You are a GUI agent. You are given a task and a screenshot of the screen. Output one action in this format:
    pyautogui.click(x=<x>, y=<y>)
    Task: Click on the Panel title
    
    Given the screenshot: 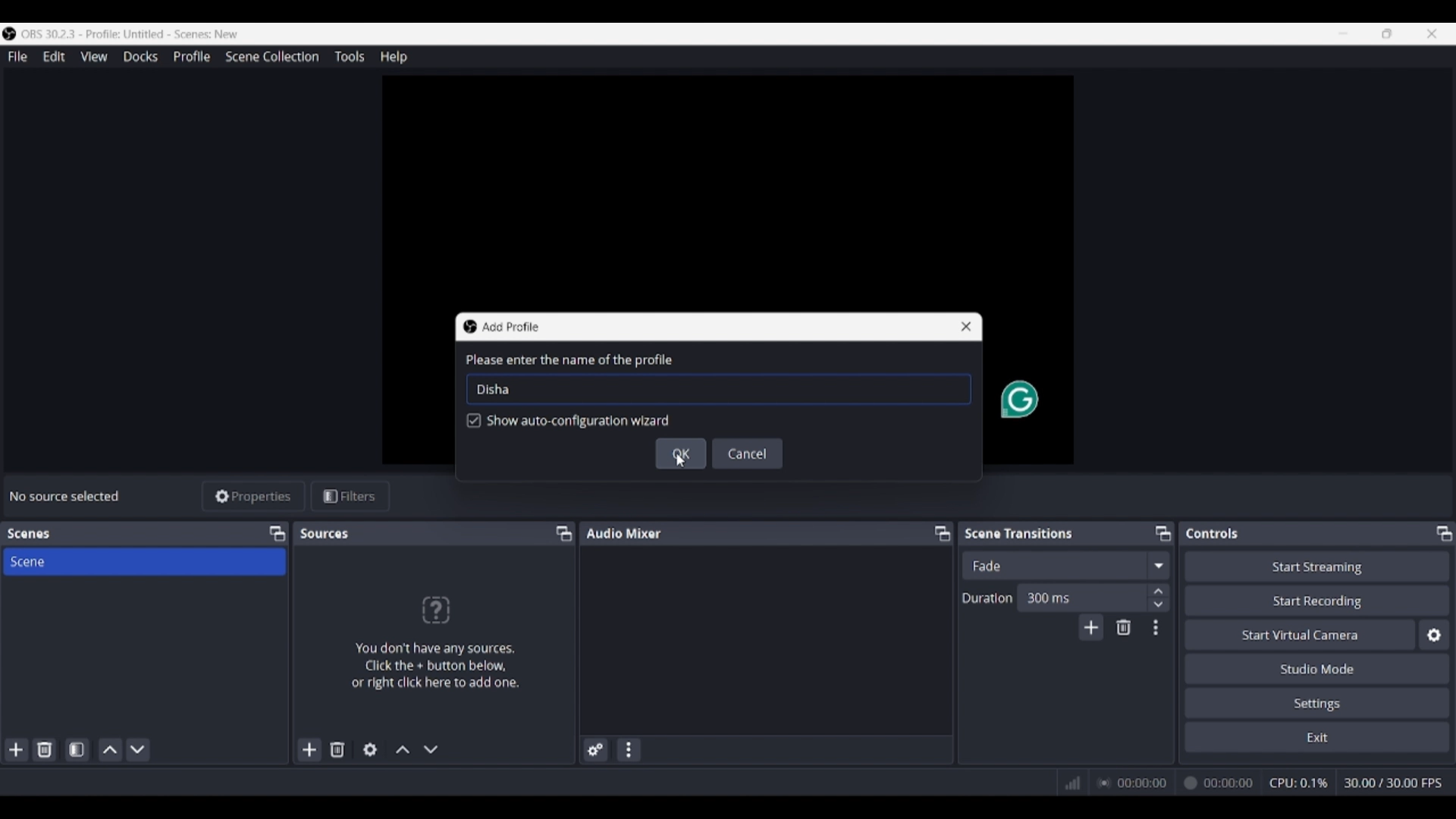 What is the action you would take?
    pyautogui.click(x=624, y=532)
    